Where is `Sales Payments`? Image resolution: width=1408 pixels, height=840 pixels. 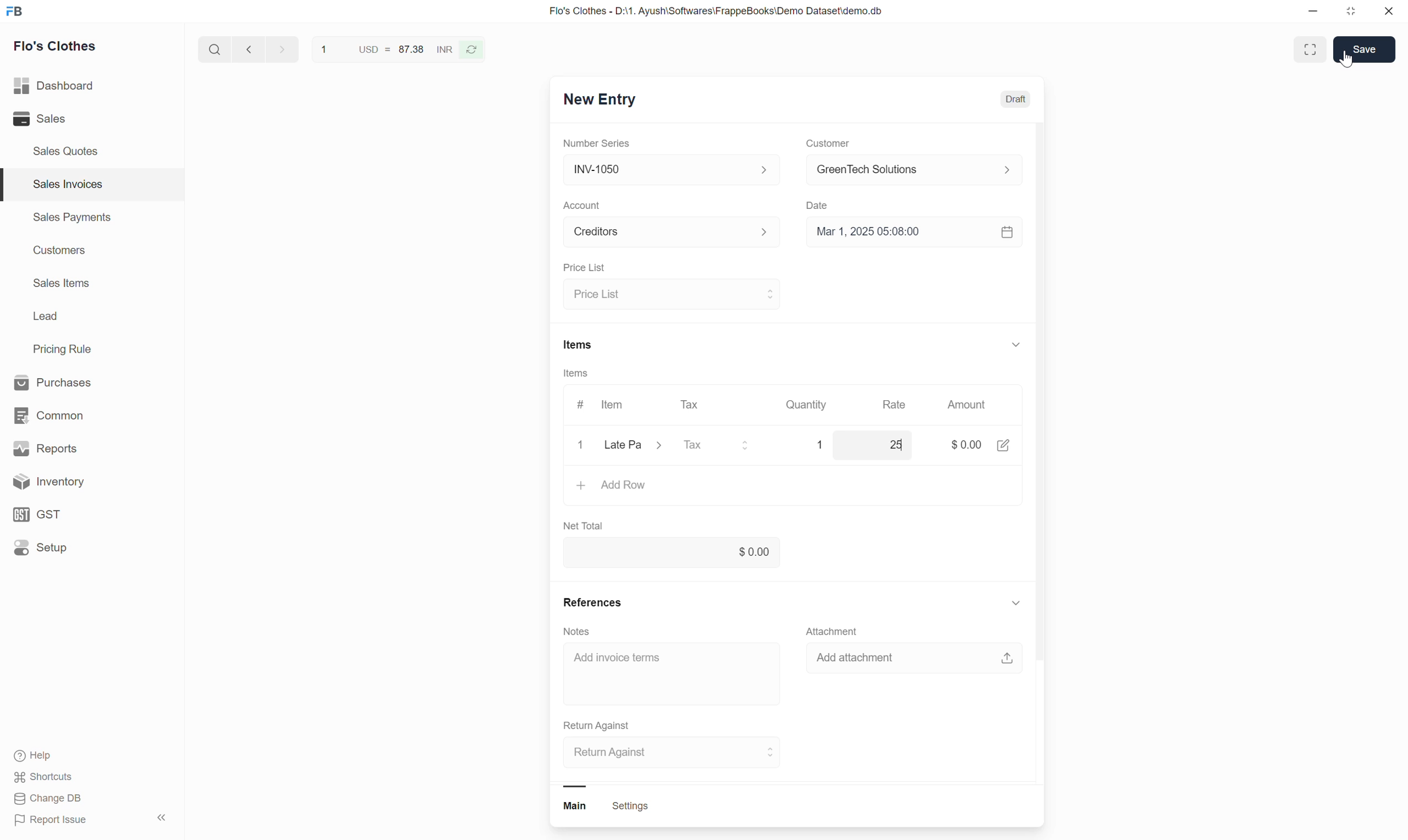
Sales Payments is located at coordinates (71, 219).